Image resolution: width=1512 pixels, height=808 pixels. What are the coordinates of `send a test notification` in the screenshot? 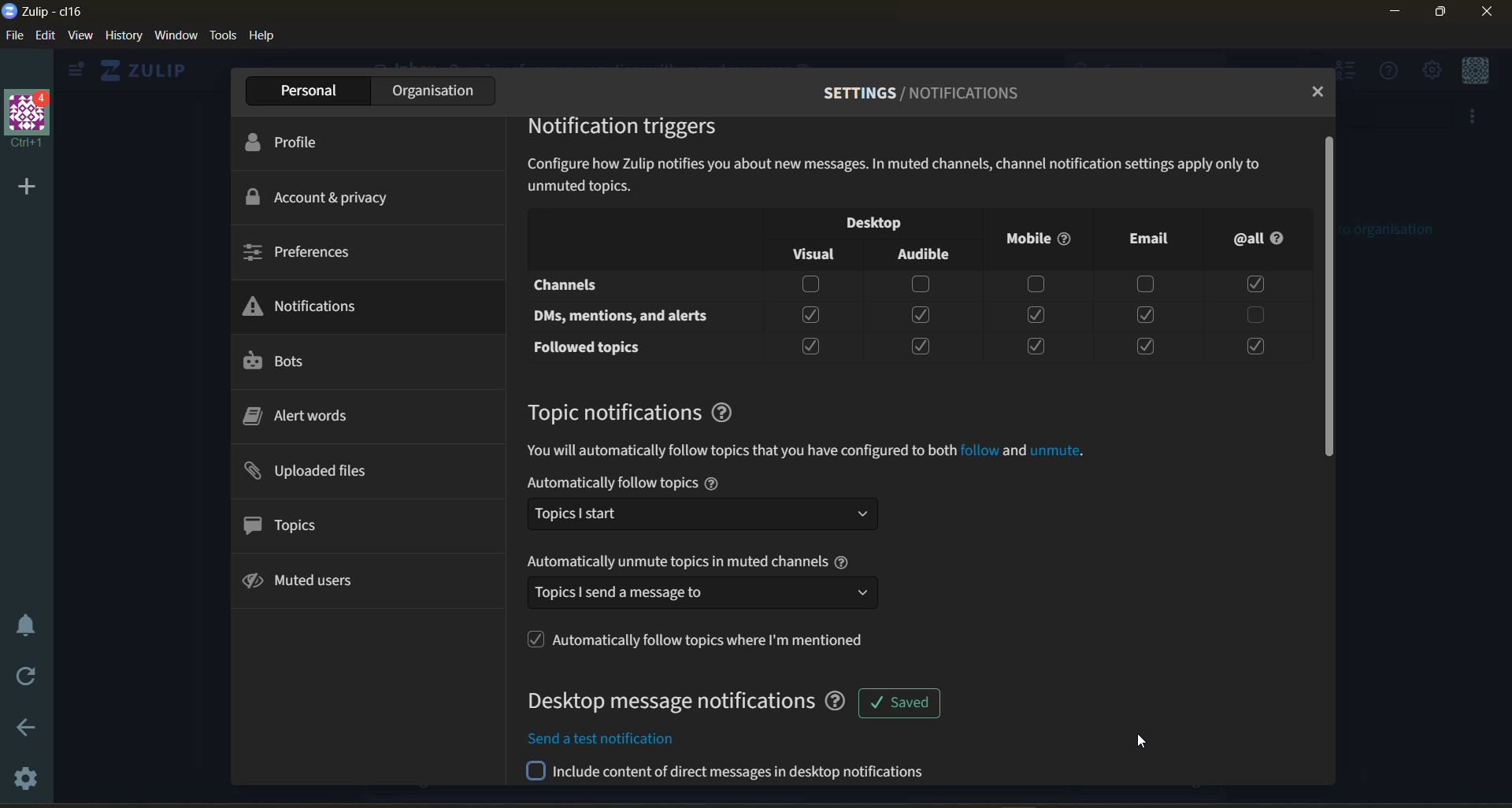 It's located at (734, 775).